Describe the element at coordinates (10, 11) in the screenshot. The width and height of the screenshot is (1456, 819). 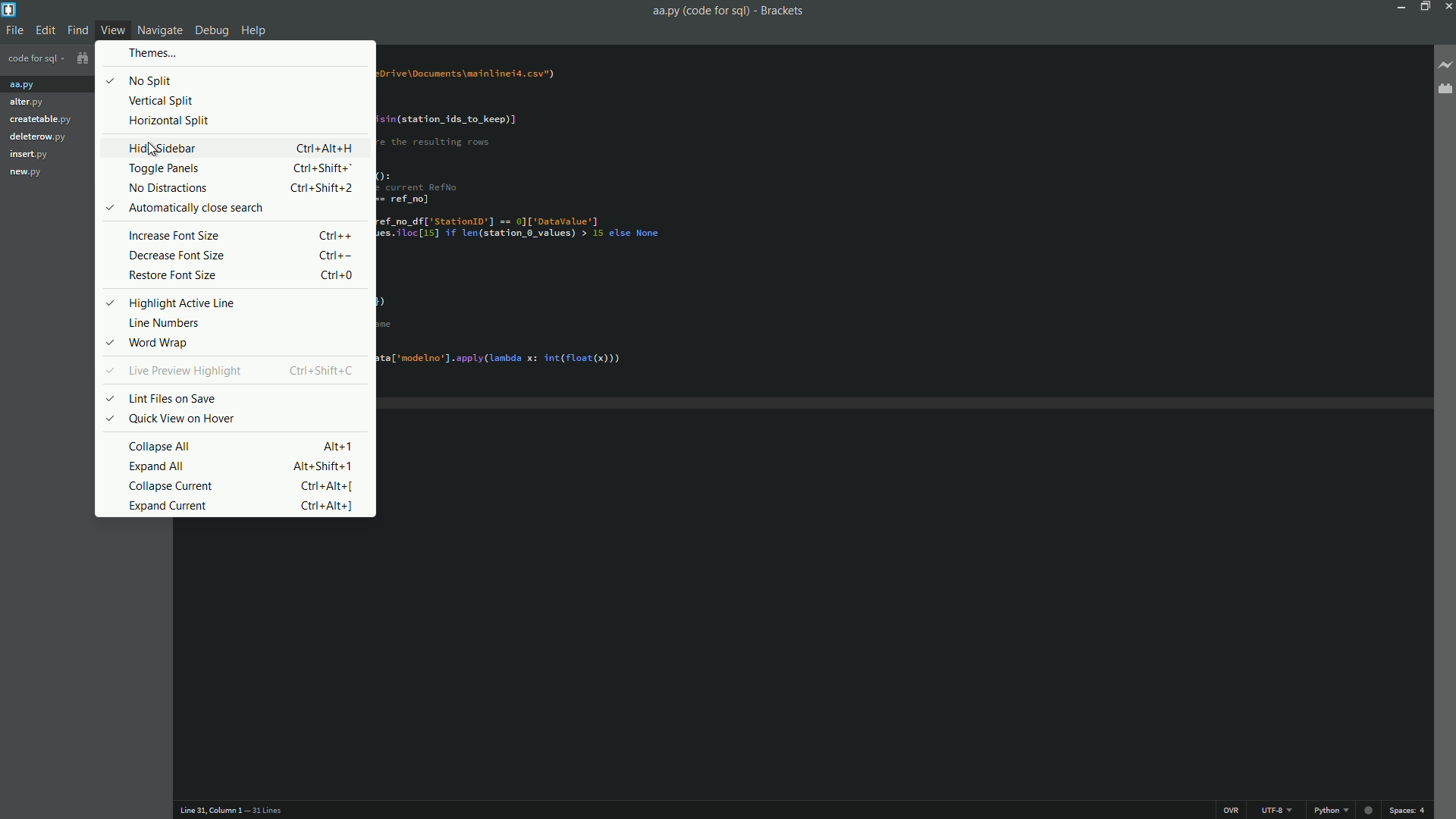
I see `app icon` at that location.